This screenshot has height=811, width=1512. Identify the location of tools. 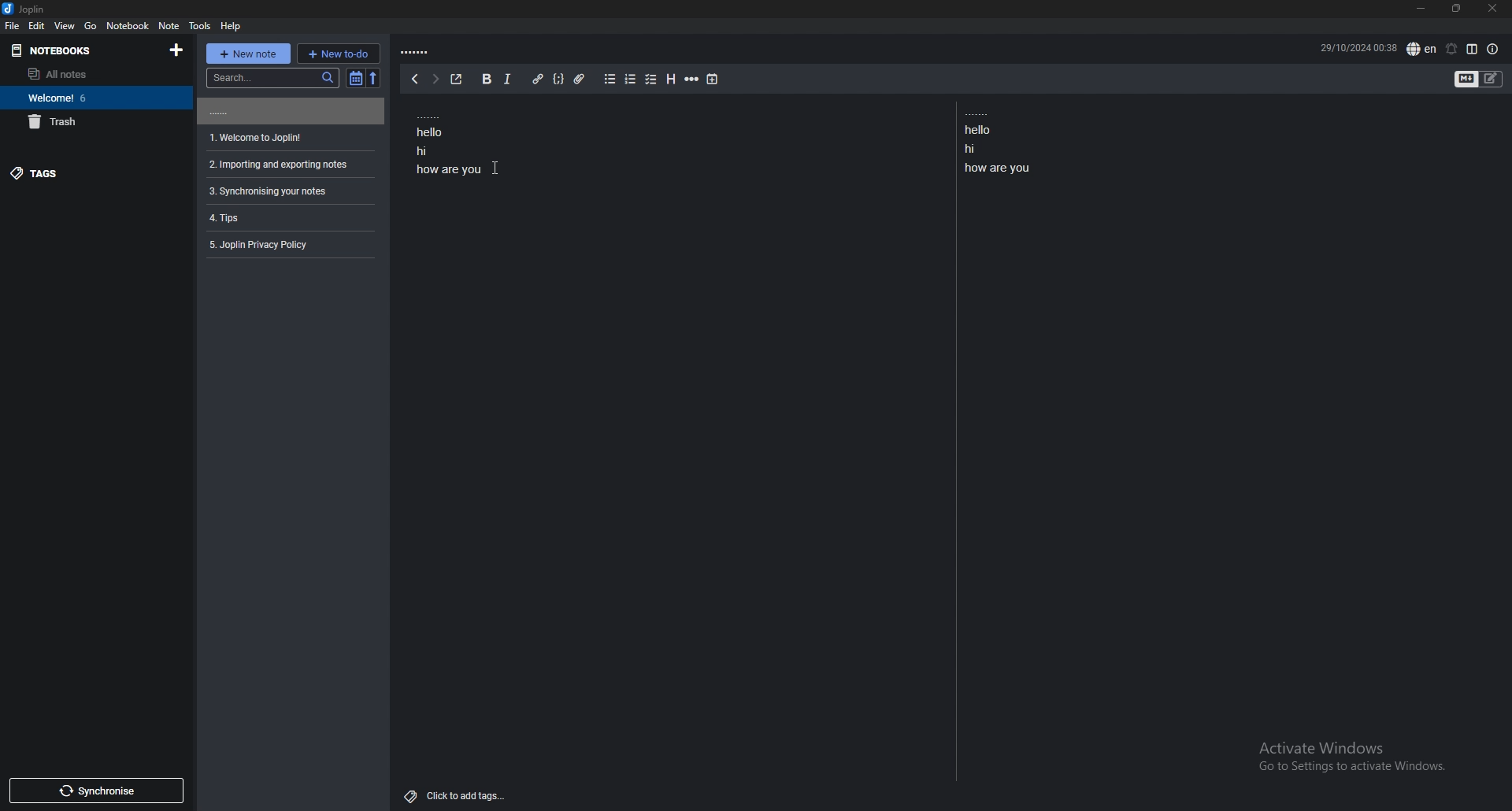
(201, 26).